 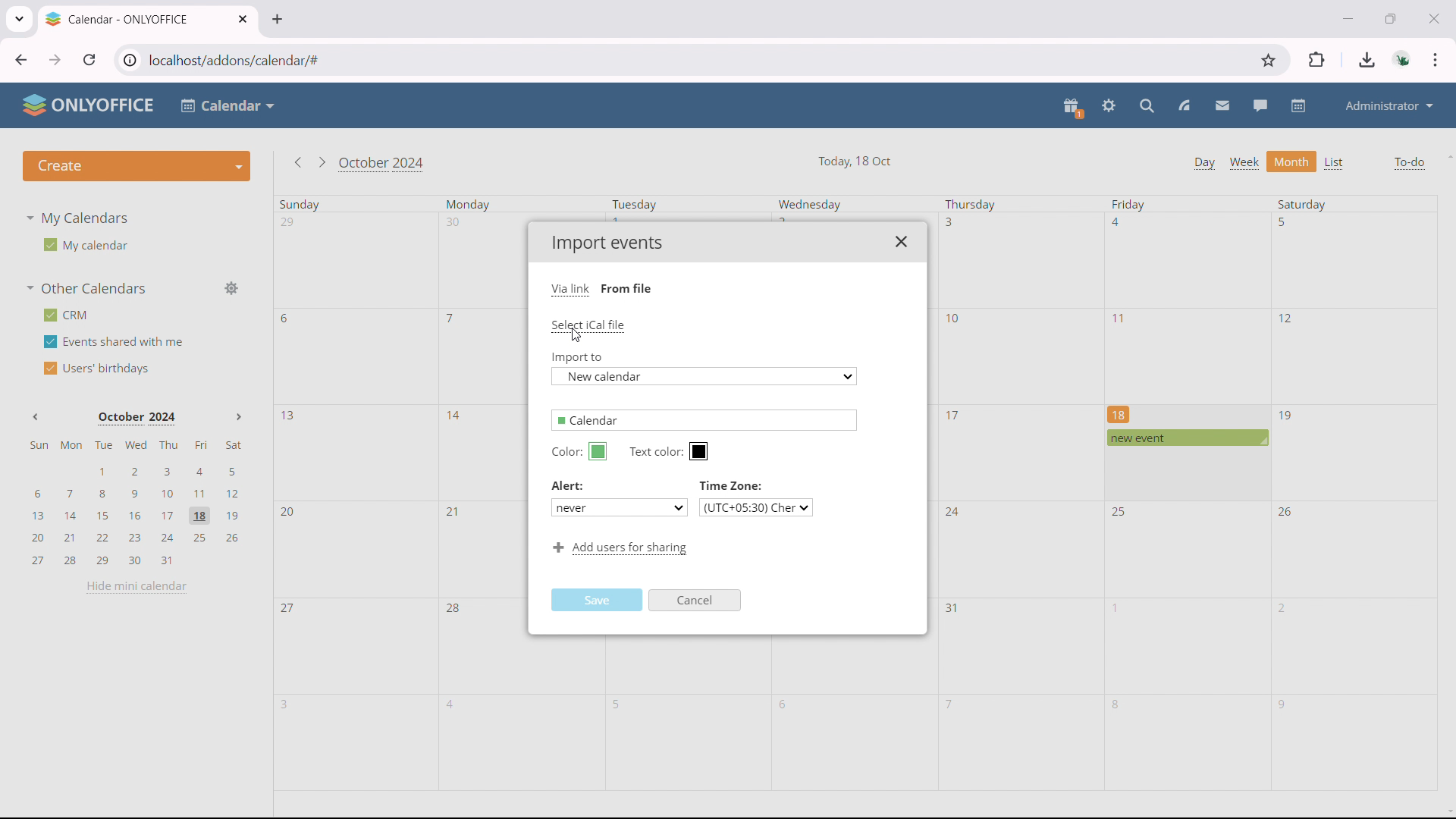 I want to click on accounts, so click(x=1404, y=59).